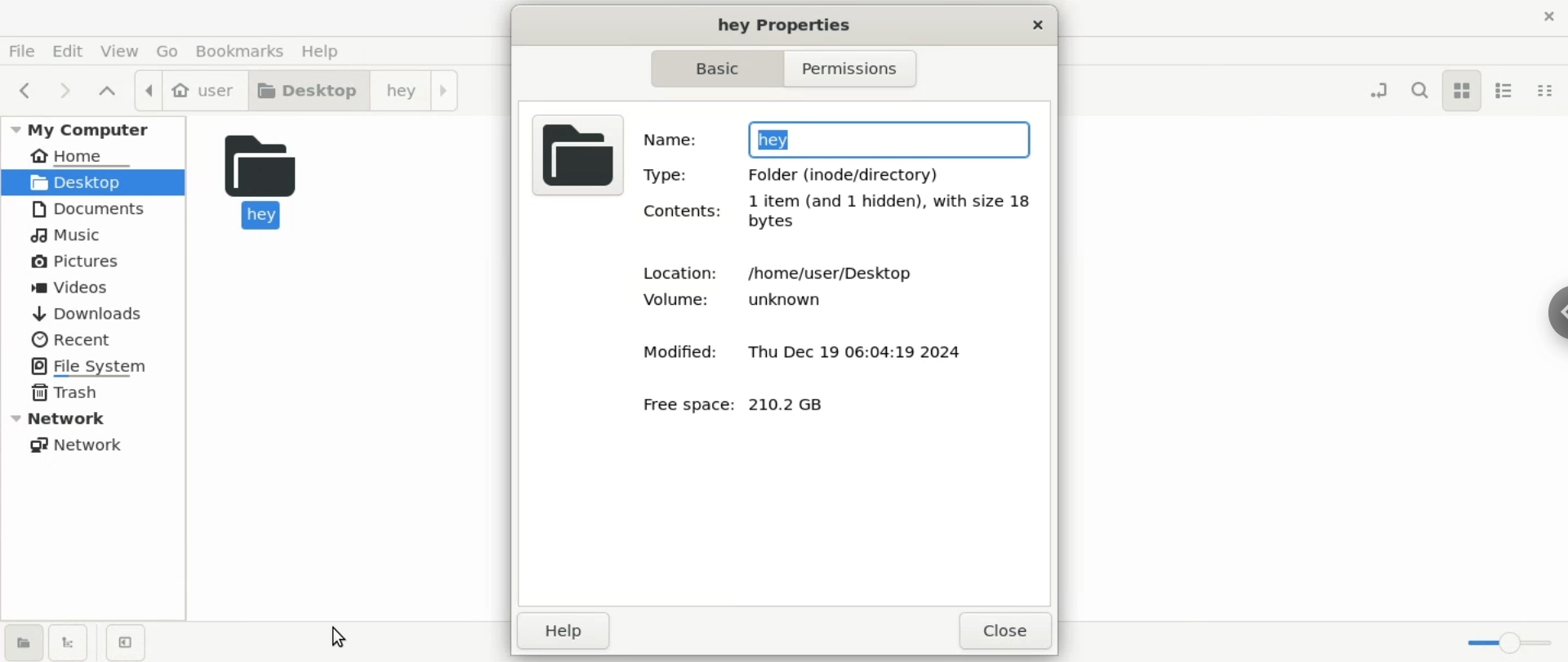 Image resolution: width=1568 pixels, height=662 pixels. Describe the element at coordinates (689, 406) in the screenshot. I see `free space` at that location.